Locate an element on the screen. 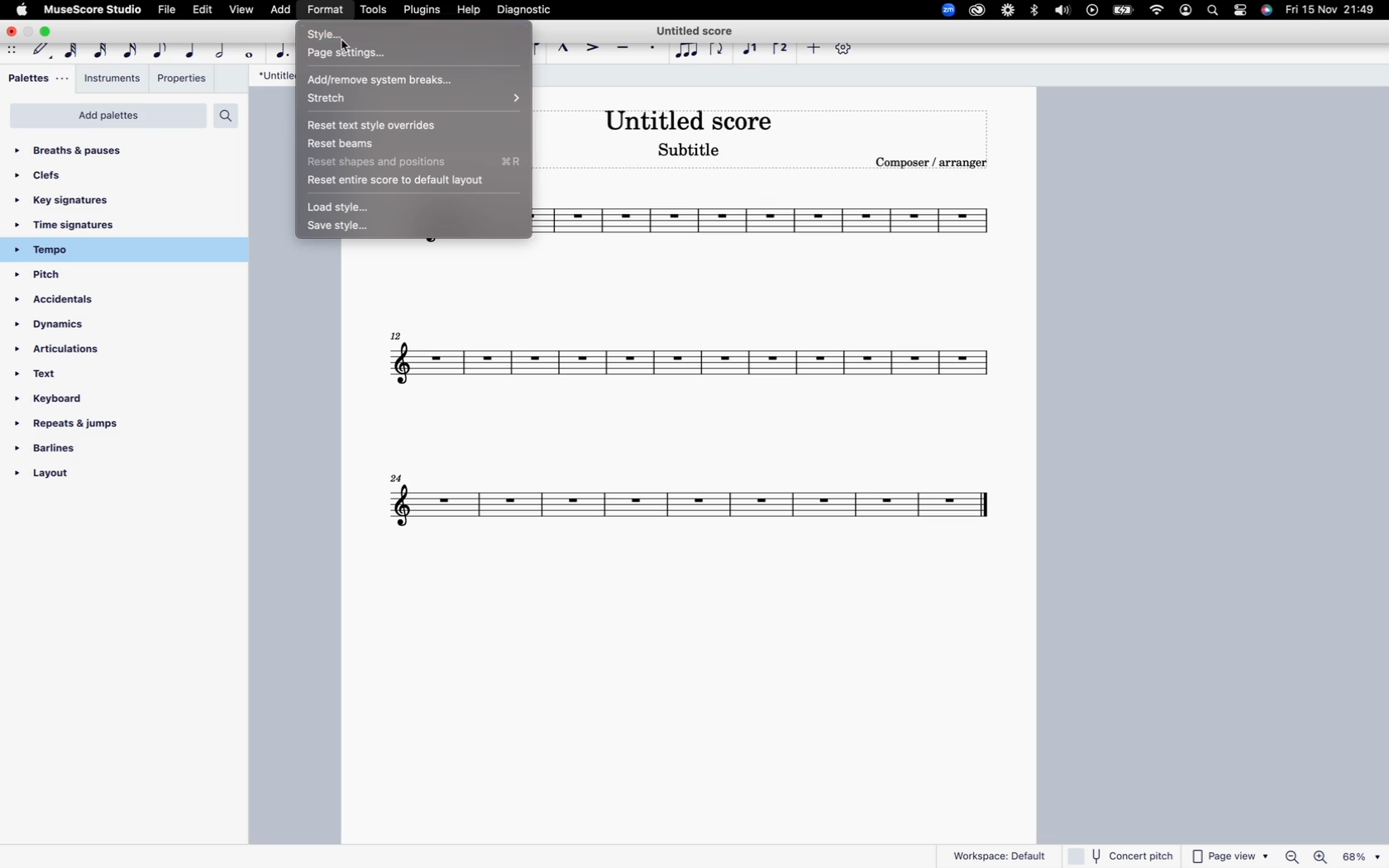 The height and width of the screenshot is (868, 1389). 16th note is located at coordinates (131, 48).